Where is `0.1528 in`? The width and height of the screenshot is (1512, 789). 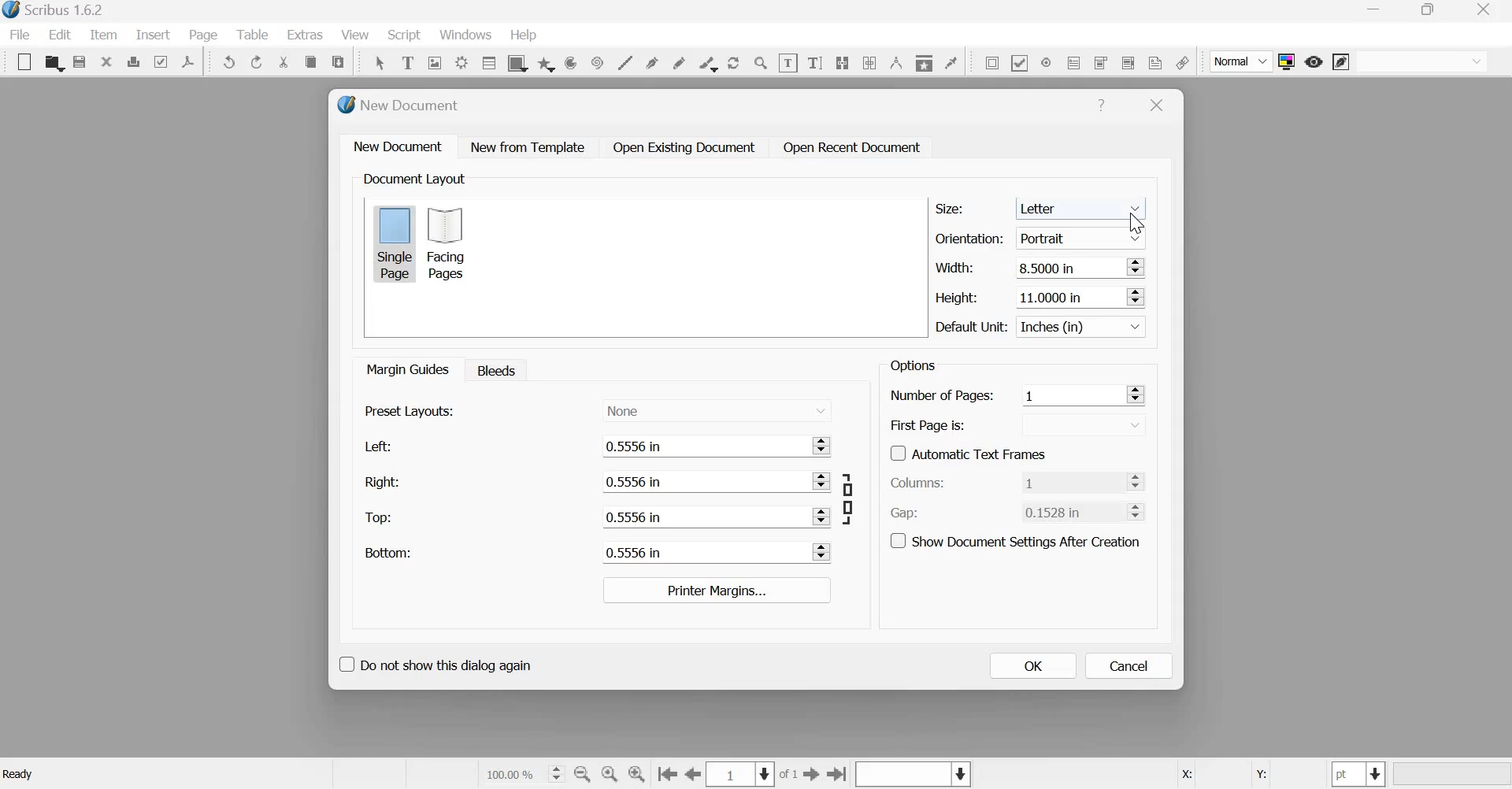
0.1528 in is located at coordinates (1071, 511).